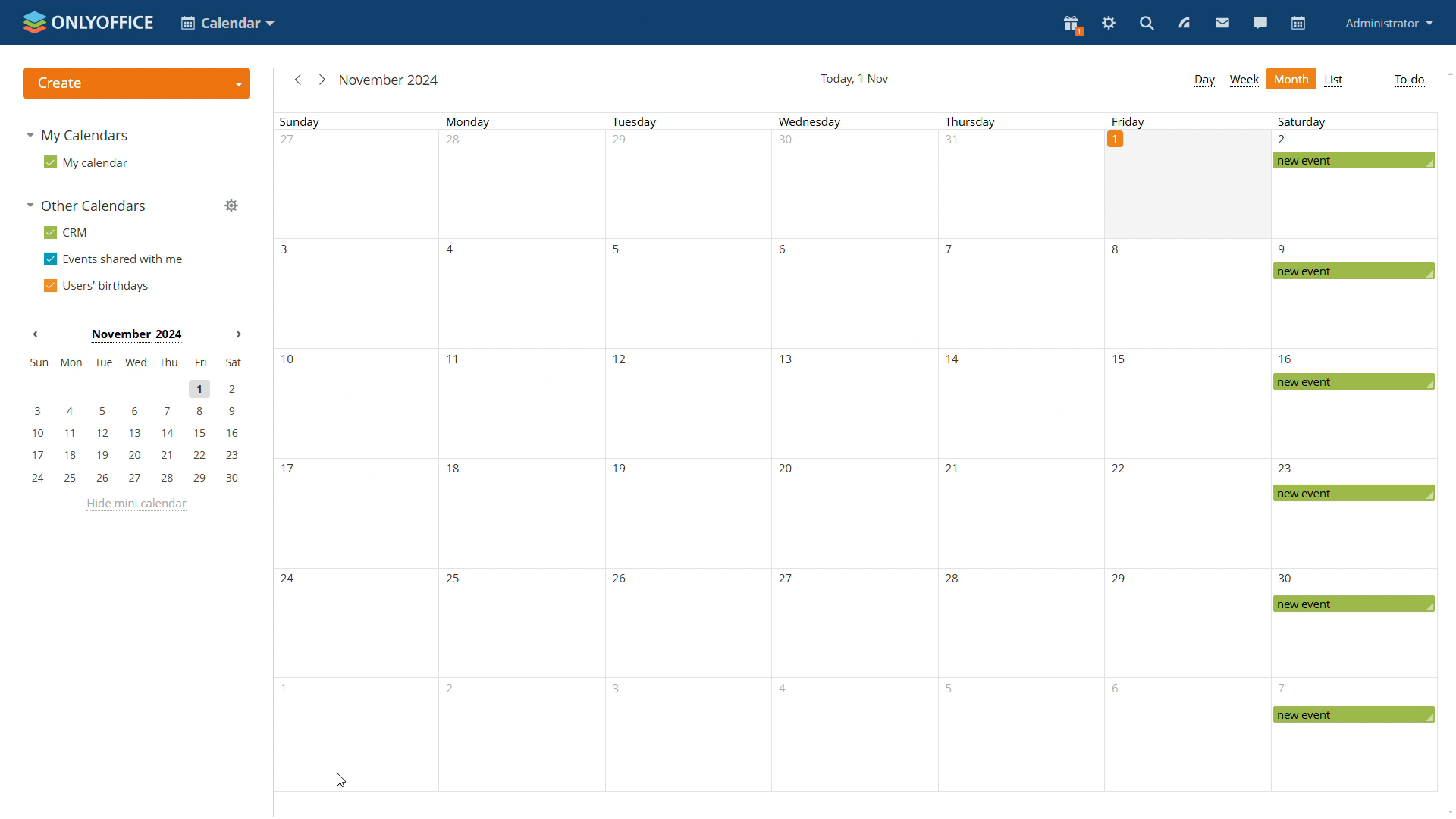  I want to click on my calendars, so click(80, 133).